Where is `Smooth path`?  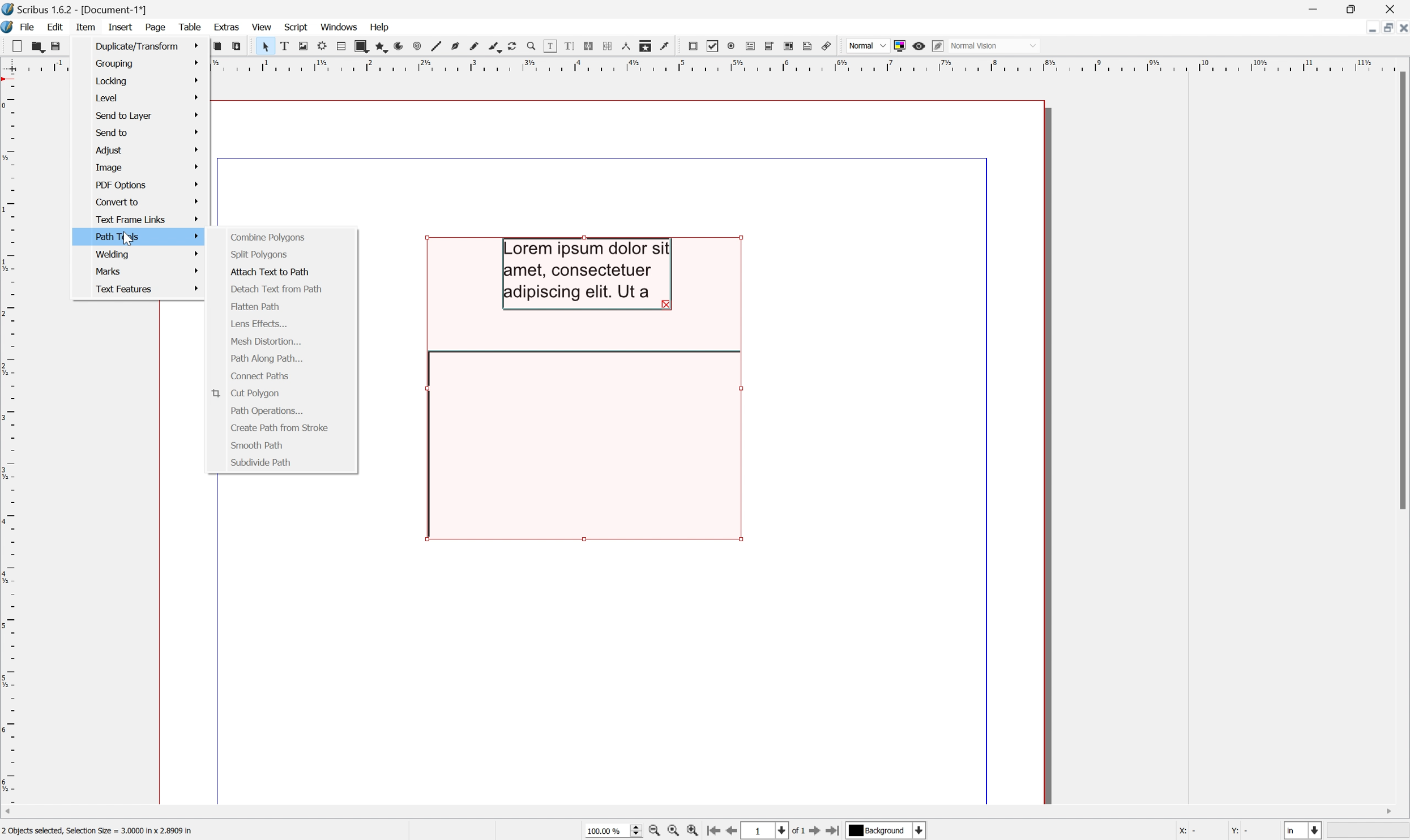 Smooth path is located at coordinates (257, 445).